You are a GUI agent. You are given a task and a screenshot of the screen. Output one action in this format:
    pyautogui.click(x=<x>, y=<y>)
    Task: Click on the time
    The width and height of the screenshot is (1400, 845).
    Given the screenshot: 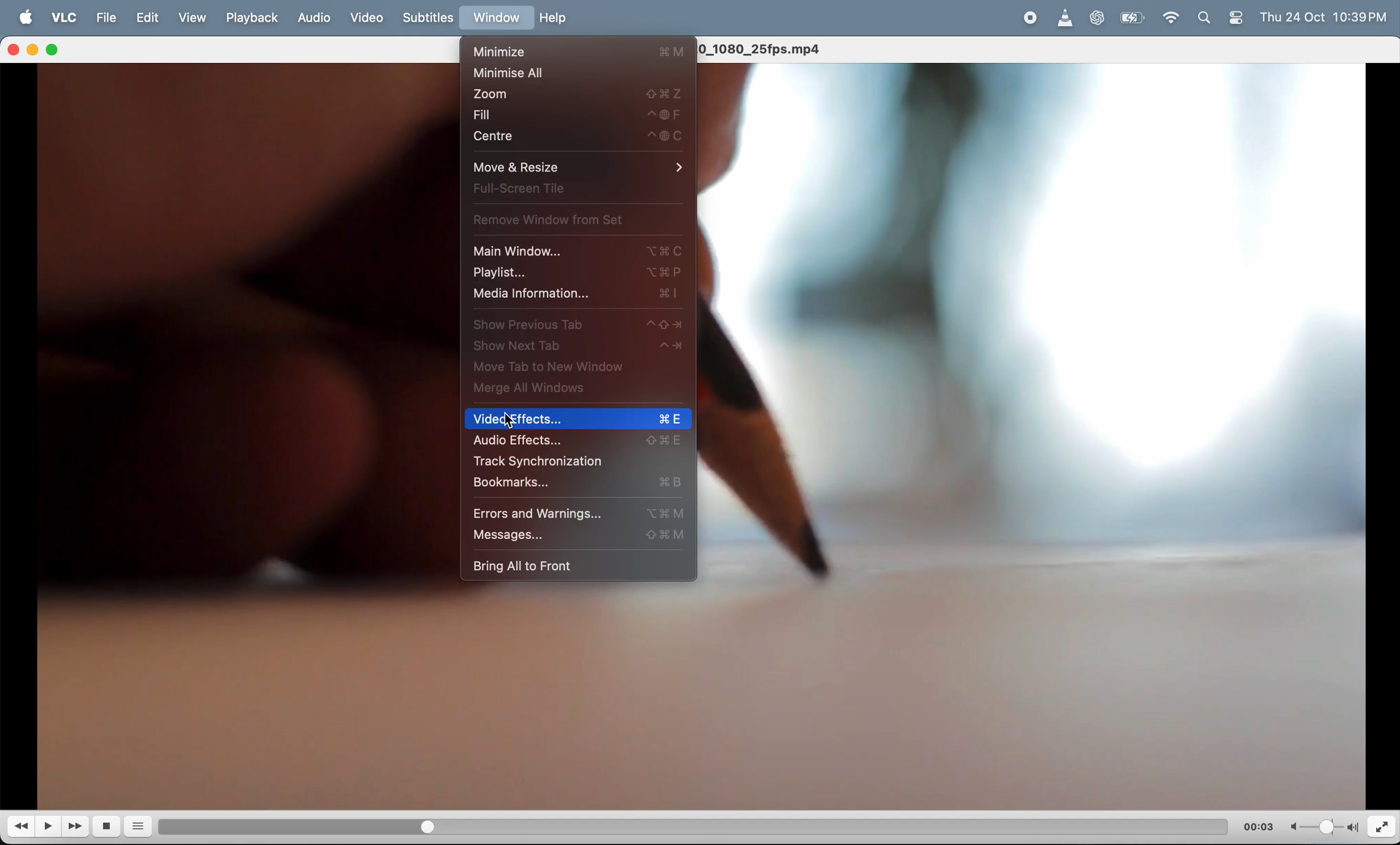 What is the action you would take?
    pyautogui.click(x=1259, y=826)
    